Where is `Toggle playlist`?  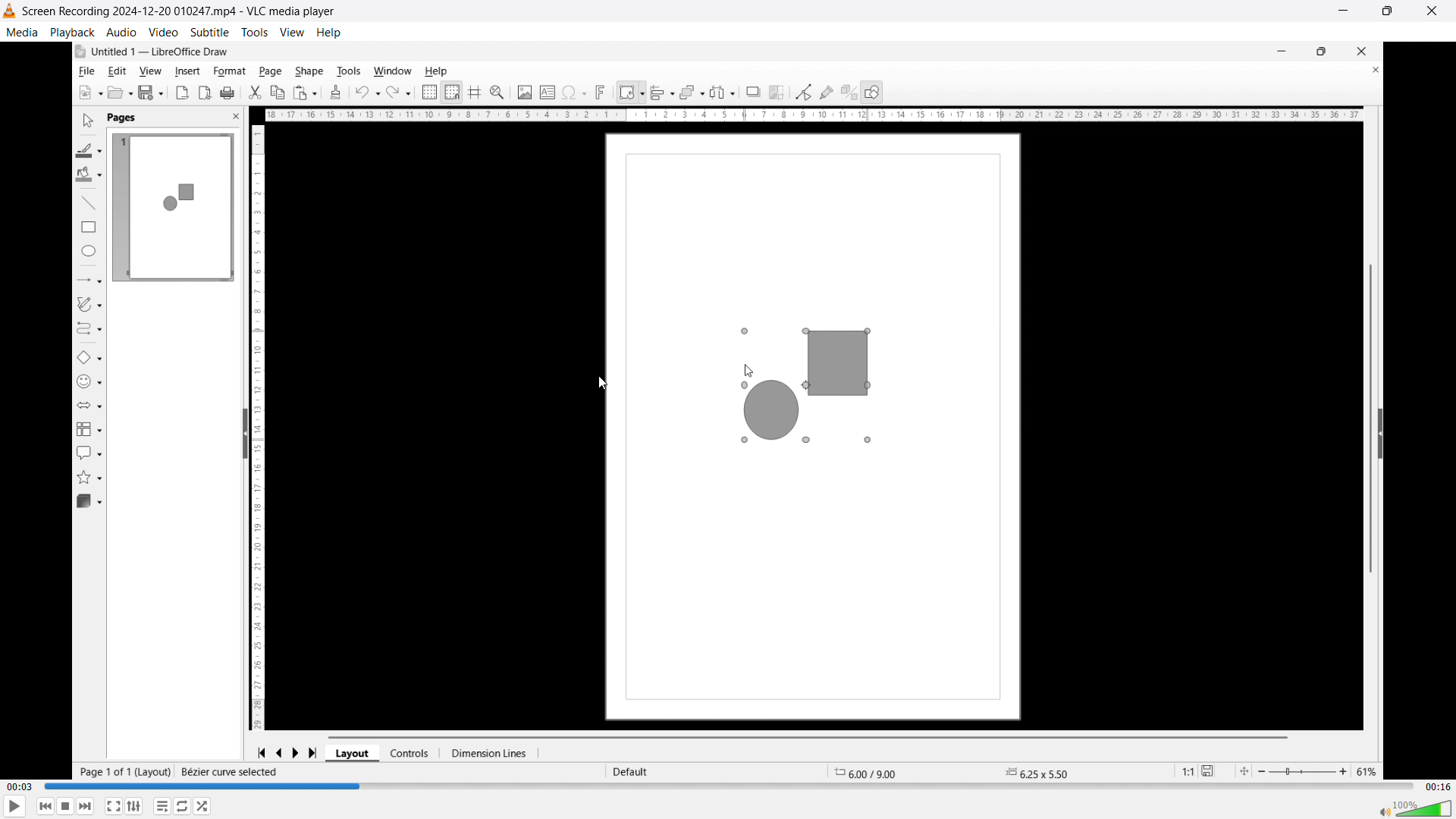 Toggle playlist is located at coordinates (162, 806).